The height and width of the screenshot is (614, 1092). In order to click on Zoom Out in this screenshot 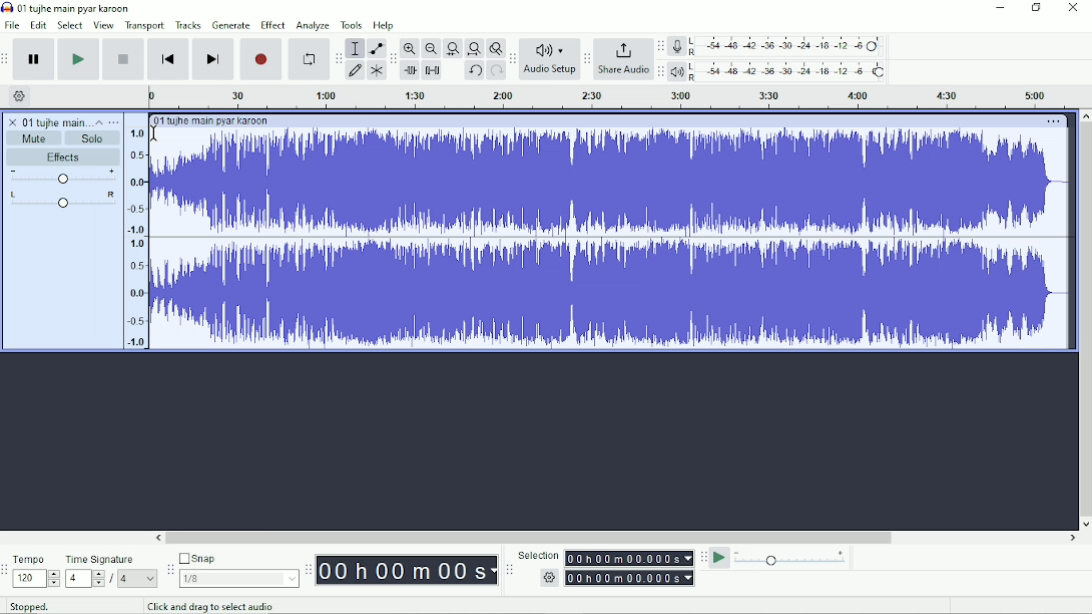, I will do `click(430, 49)`.